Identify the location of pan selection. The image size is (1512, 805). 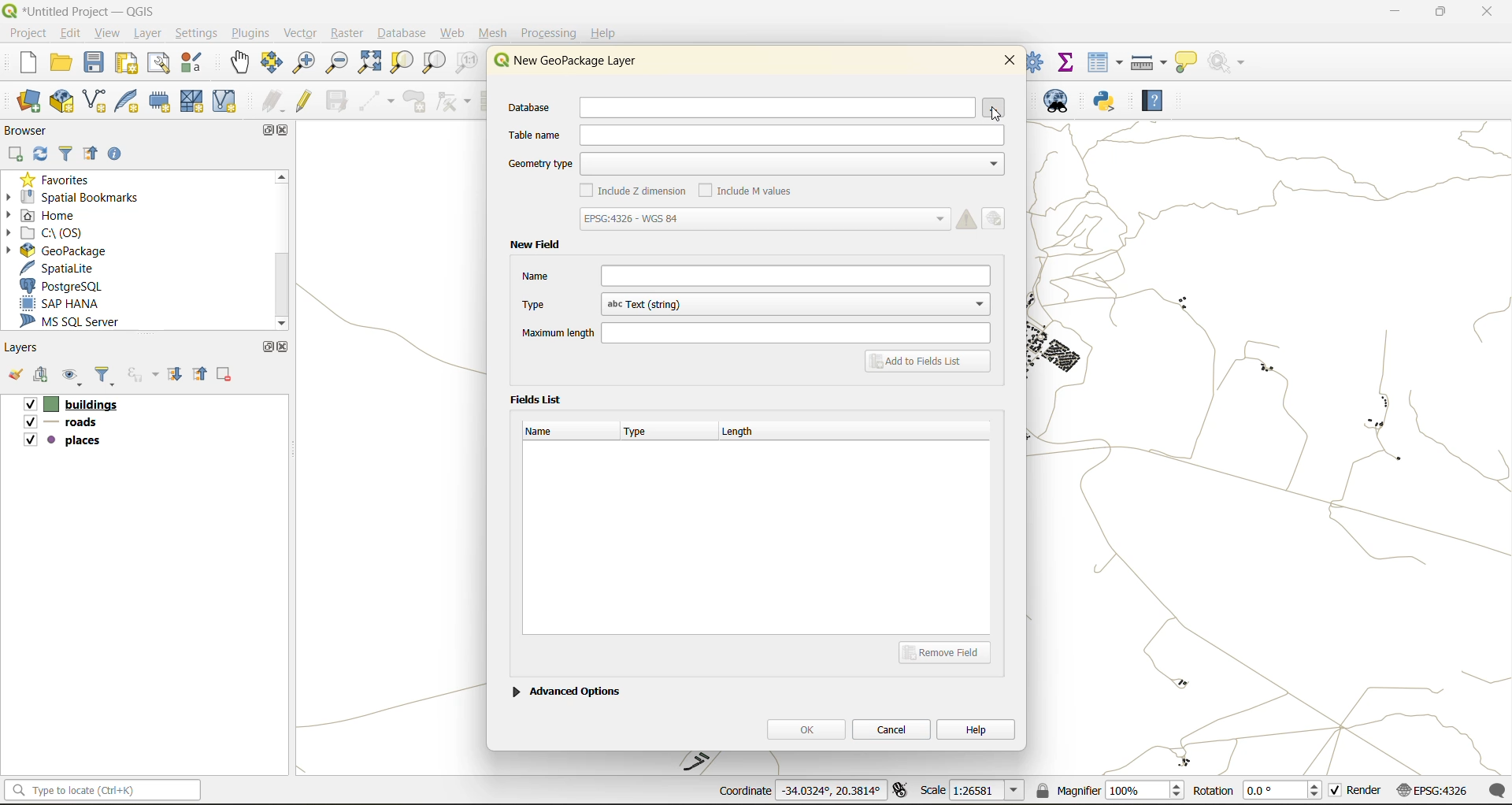
(272, 63).